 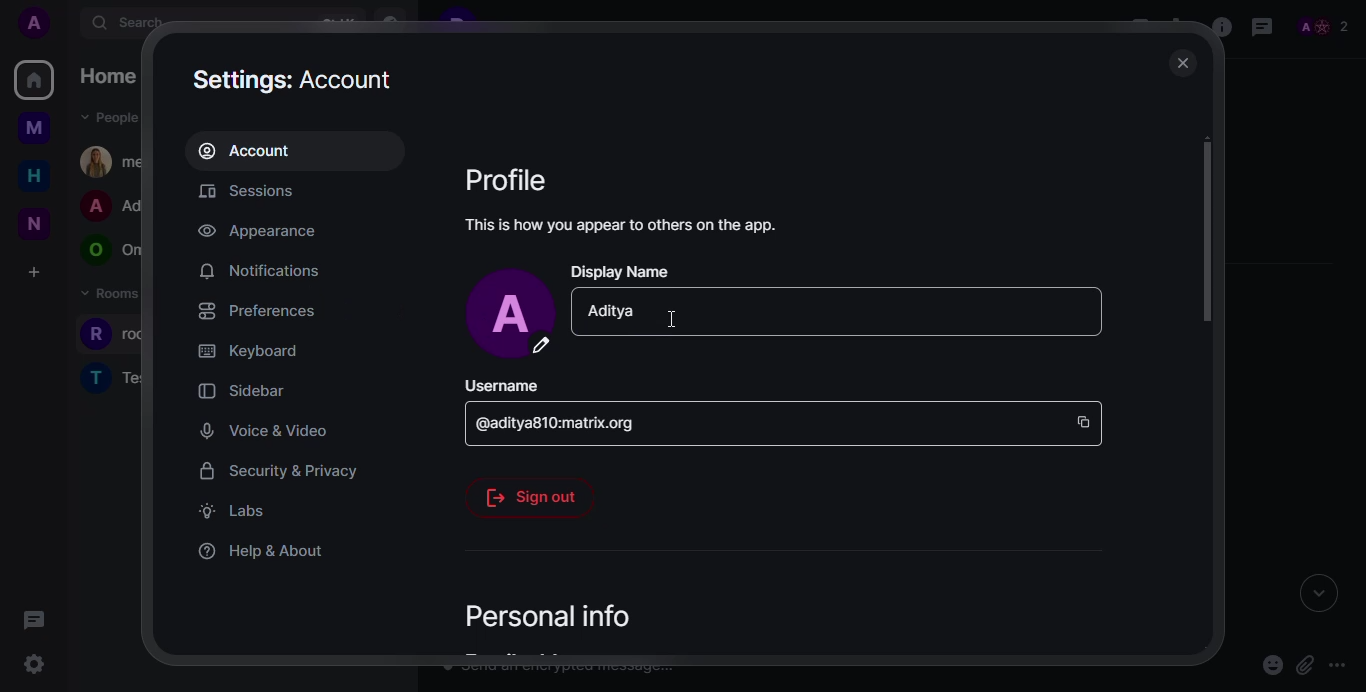 What do you see at coordinates (1308, 662) in the screenshot?
I see `attach` at bounding box center [1308, 662].